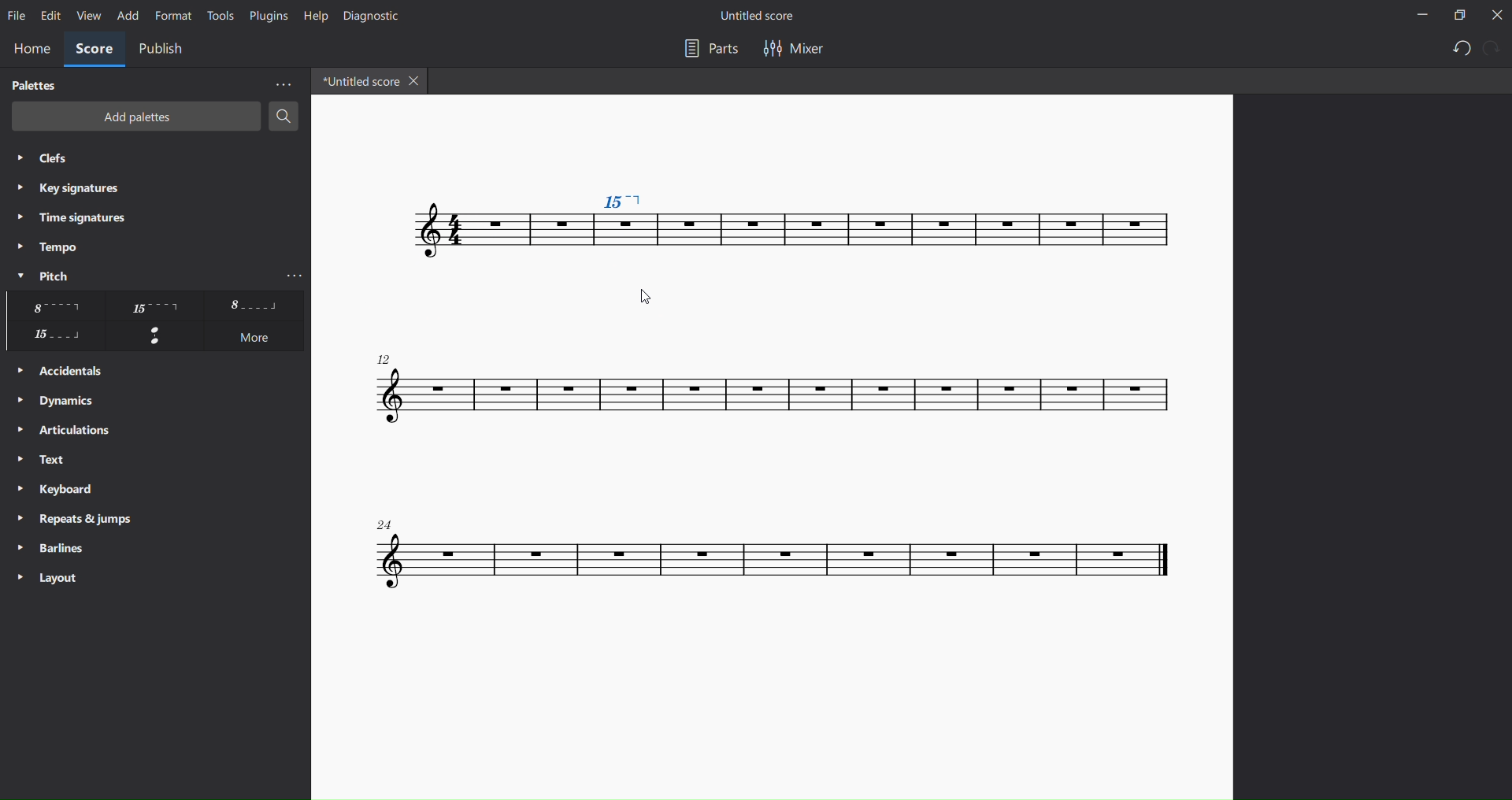  What do you see at coordinates (68, 369) in the screenshot?
I see `accidentals` at bounding box center [68, 369].